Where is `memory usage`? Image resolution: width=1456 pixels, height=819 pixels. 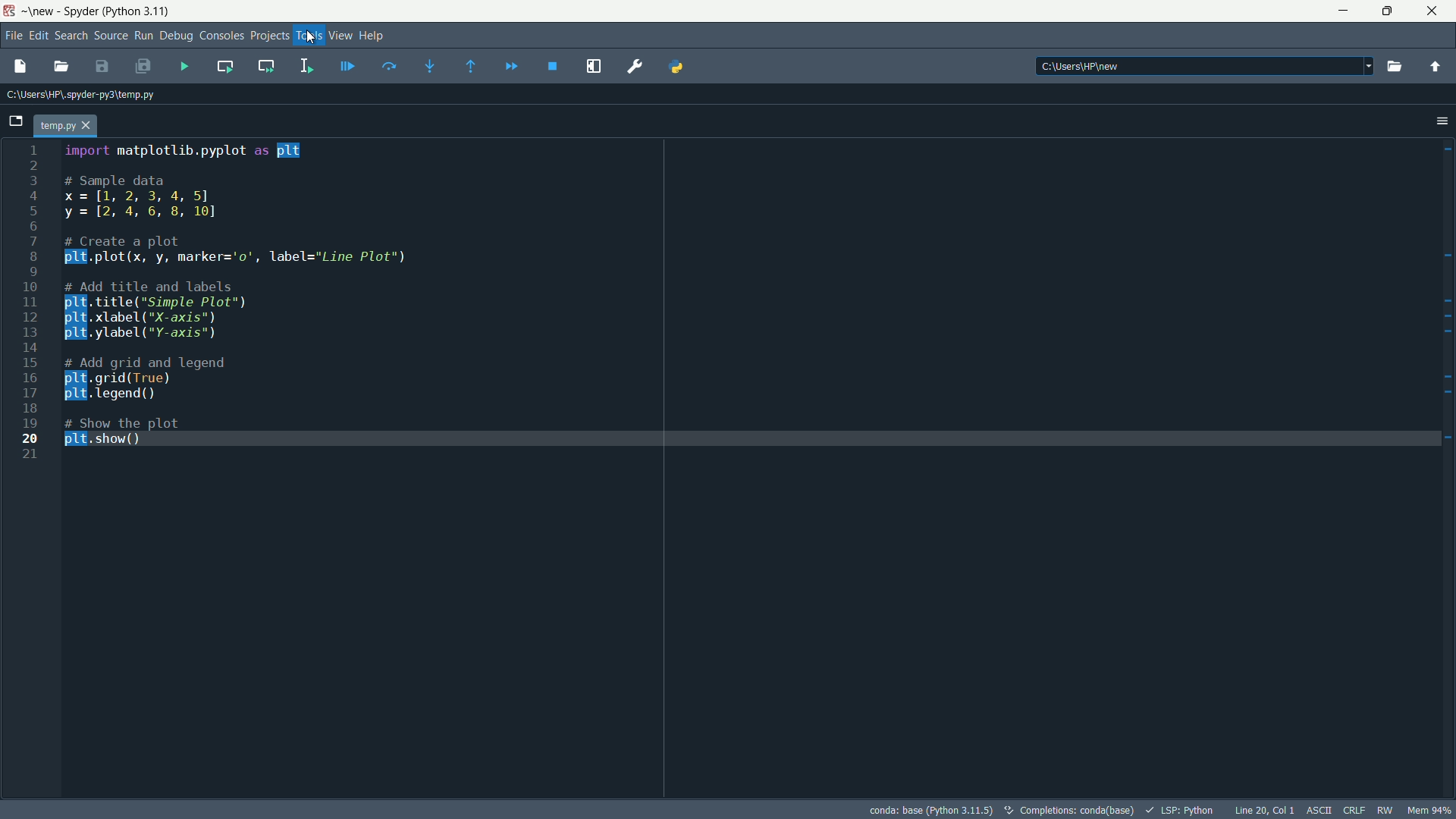 memory usage is located at coordinates (1432, 810).